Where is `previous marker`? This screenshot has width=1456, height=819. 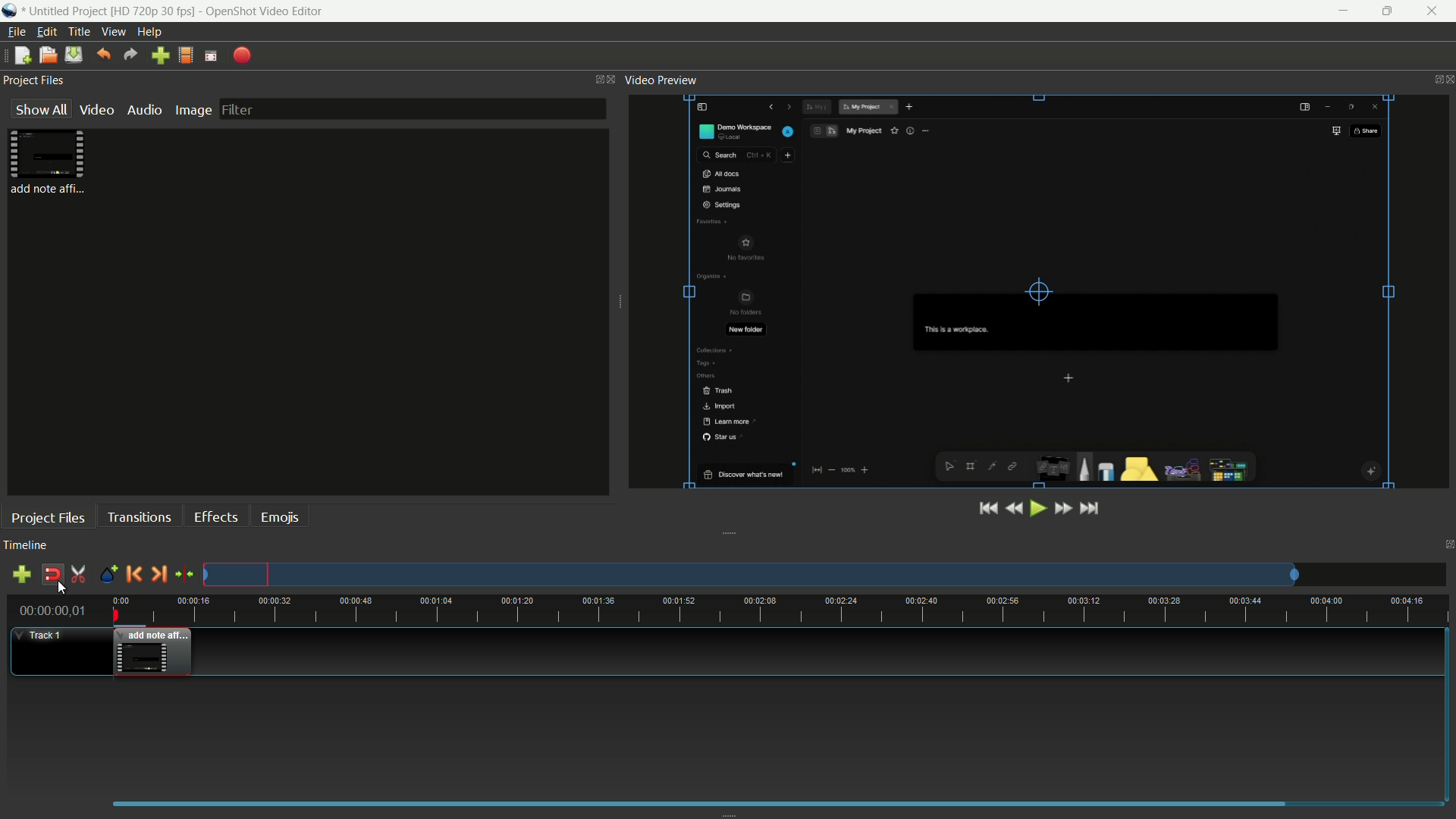
previous marker is located at coordinates (133, 573).